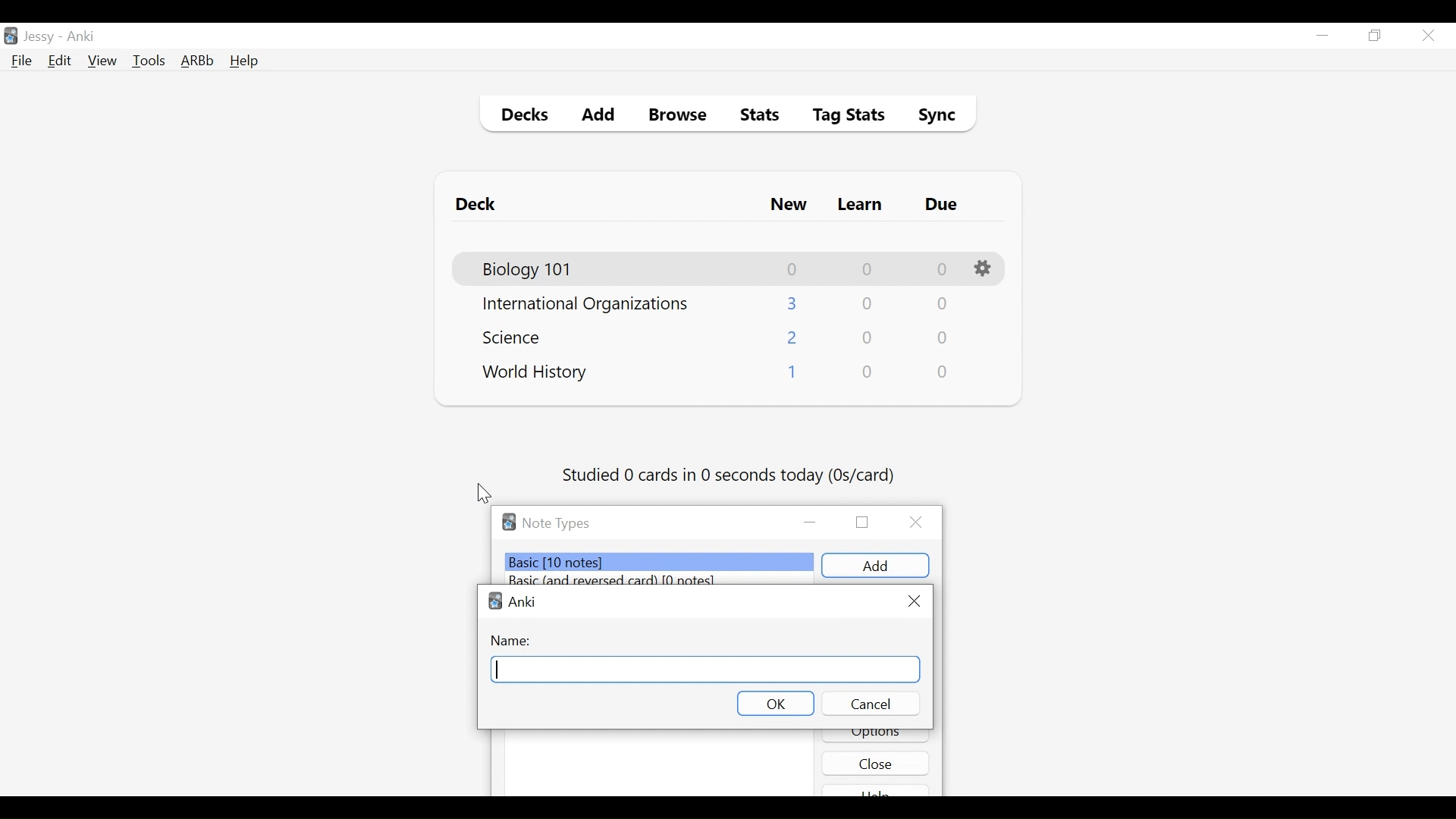 The image size is (1456, 819). Describe the element at coordinates (730, 476) in the screenshot. I see `Studied number of cards in second today (os/card)` at that location.